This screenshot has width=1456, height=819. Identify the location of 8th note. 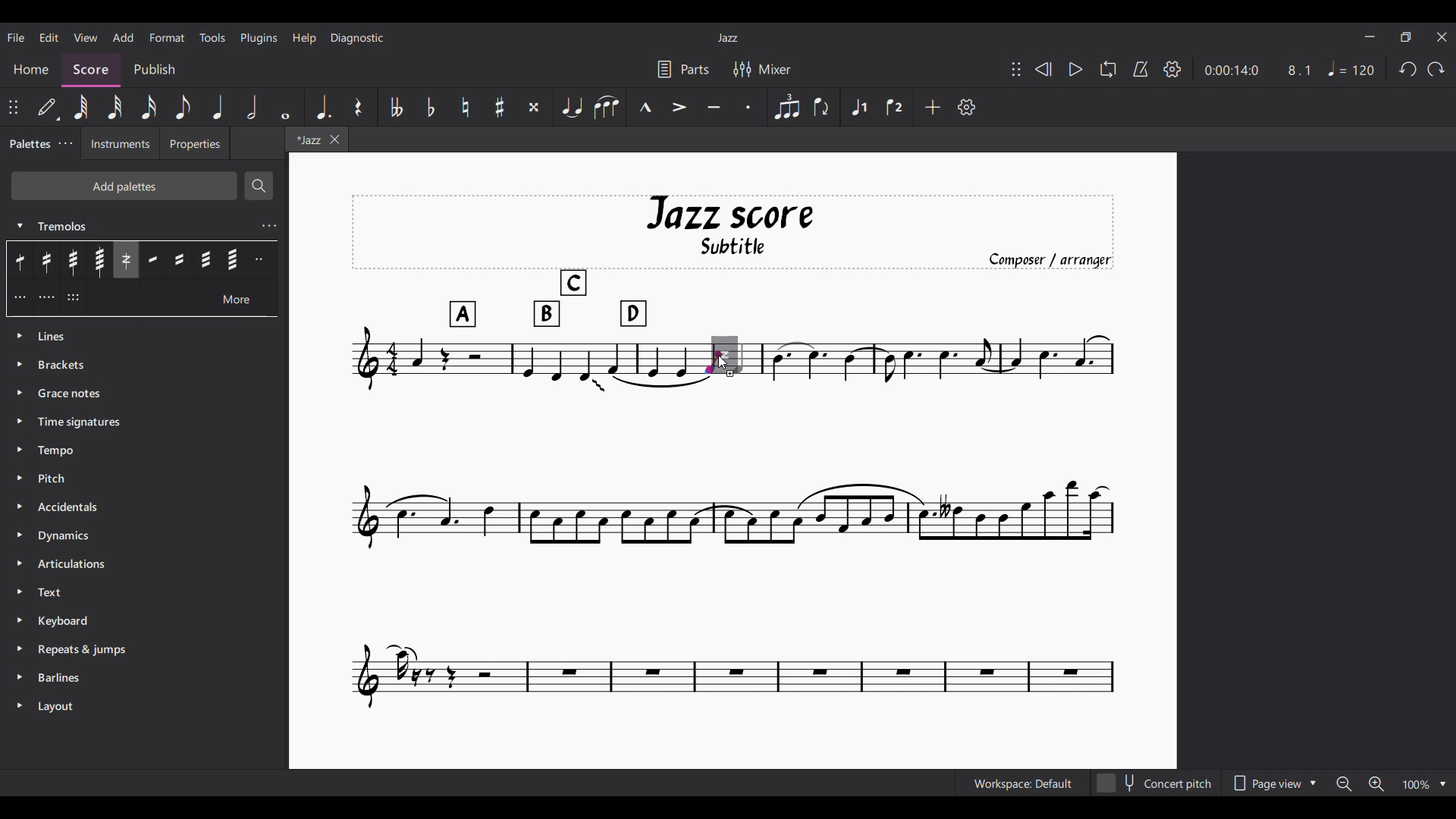
(183, 106).